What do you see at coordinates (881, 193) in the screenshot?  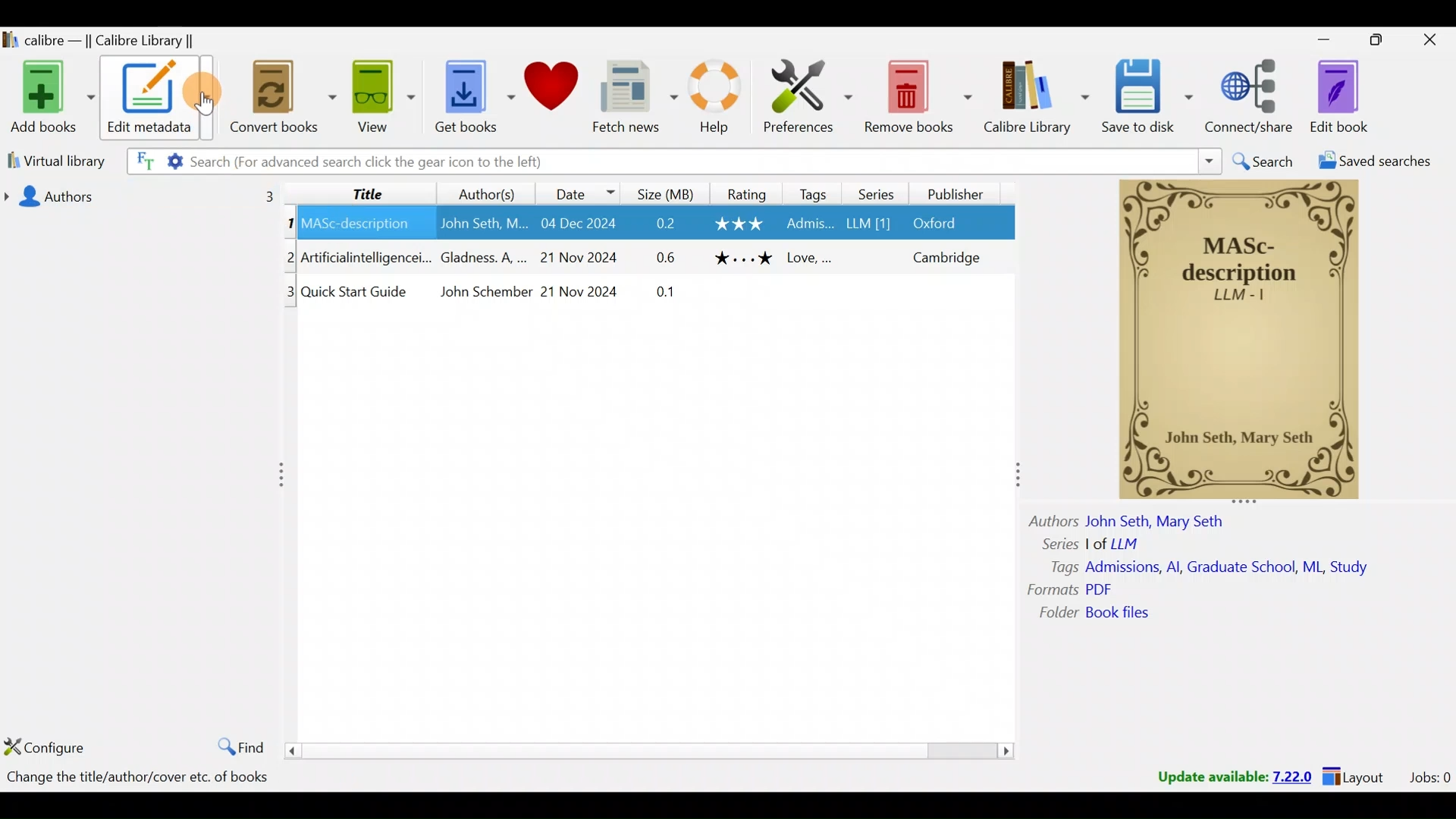 I see `Series` at bounding box center [881, 193].